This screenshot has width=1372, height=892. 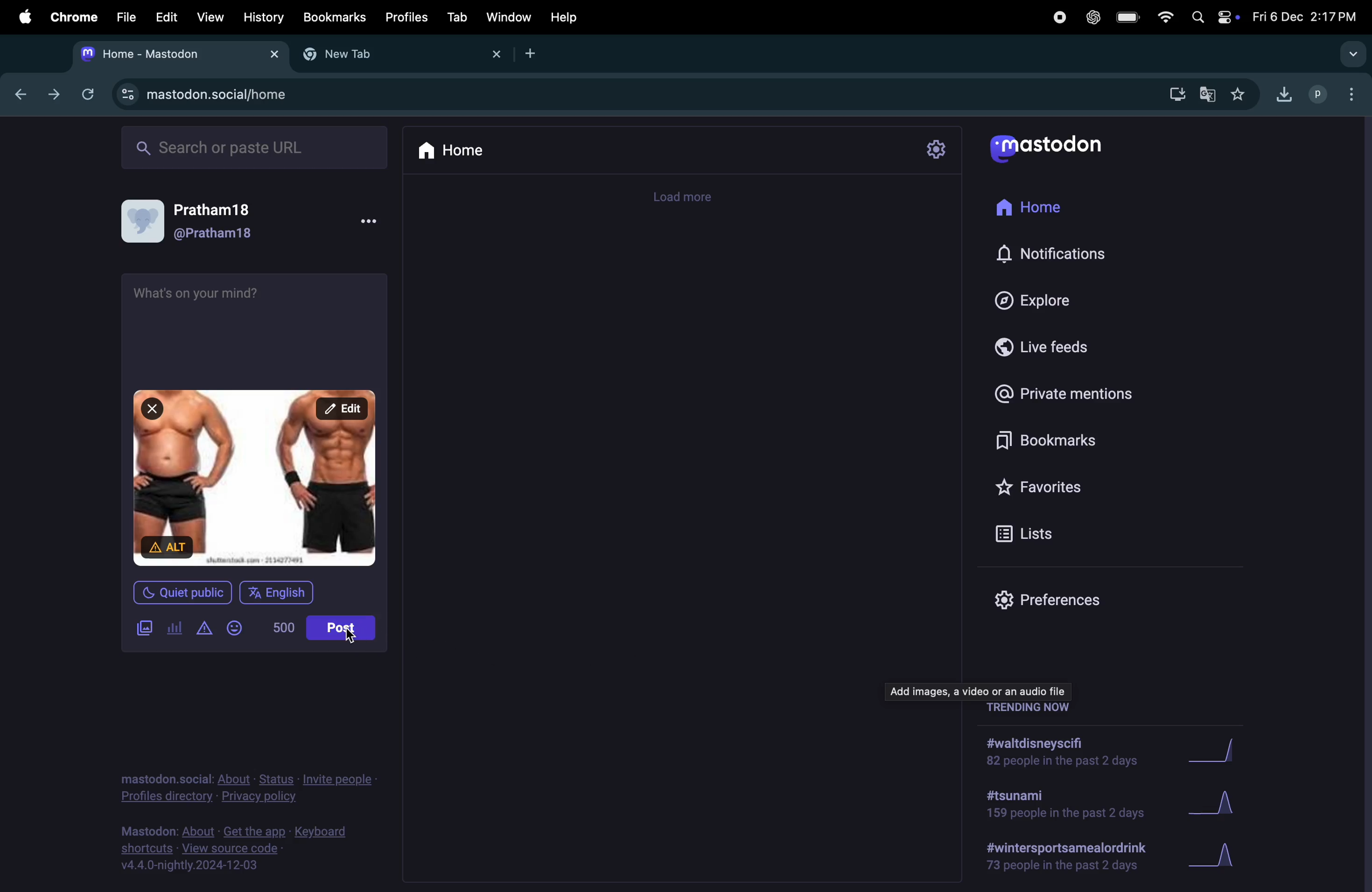 I want to click on tab, so click(x=455, y=17).